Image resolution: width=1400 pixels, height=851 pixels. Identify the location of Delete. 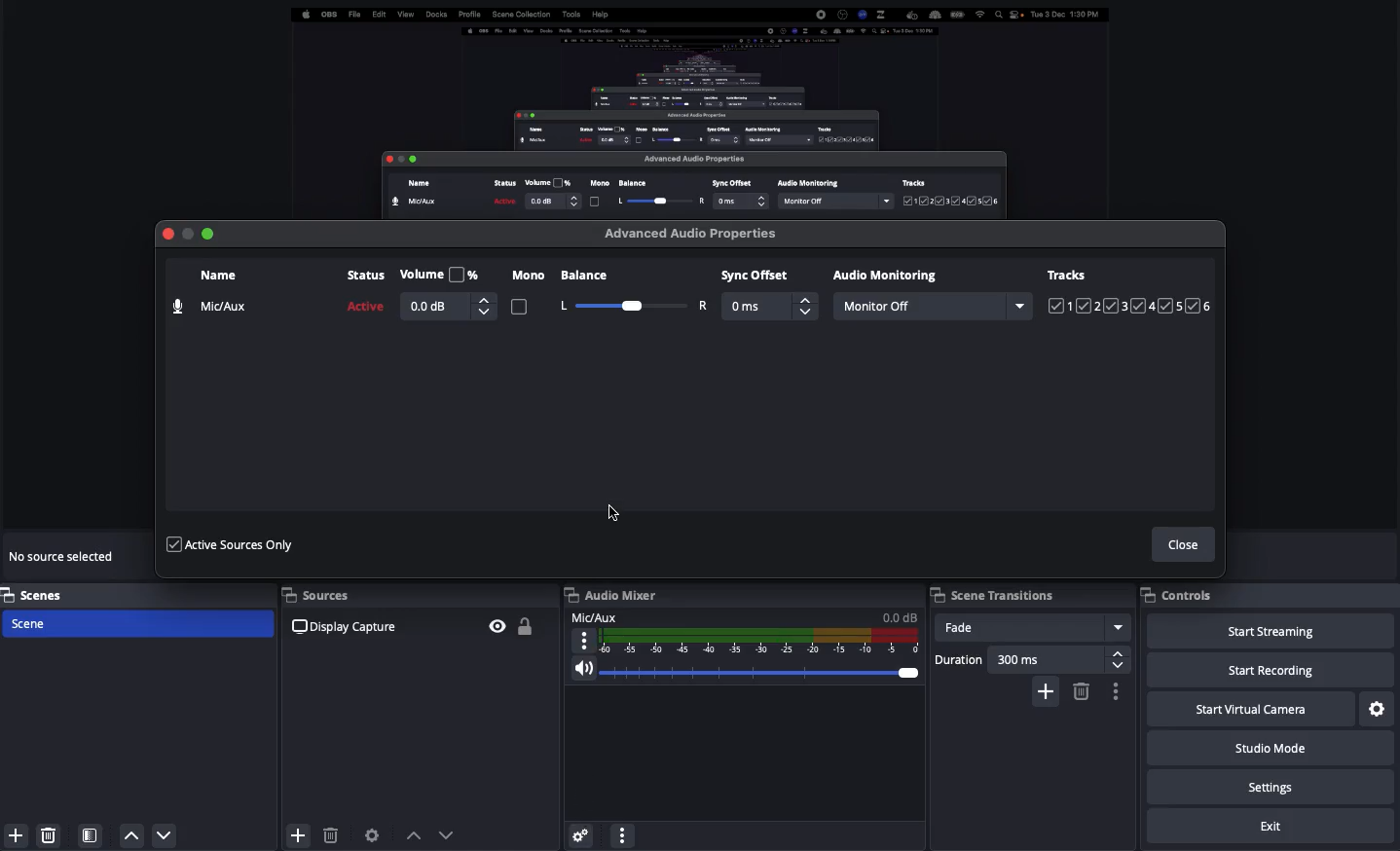
(1083, 690).